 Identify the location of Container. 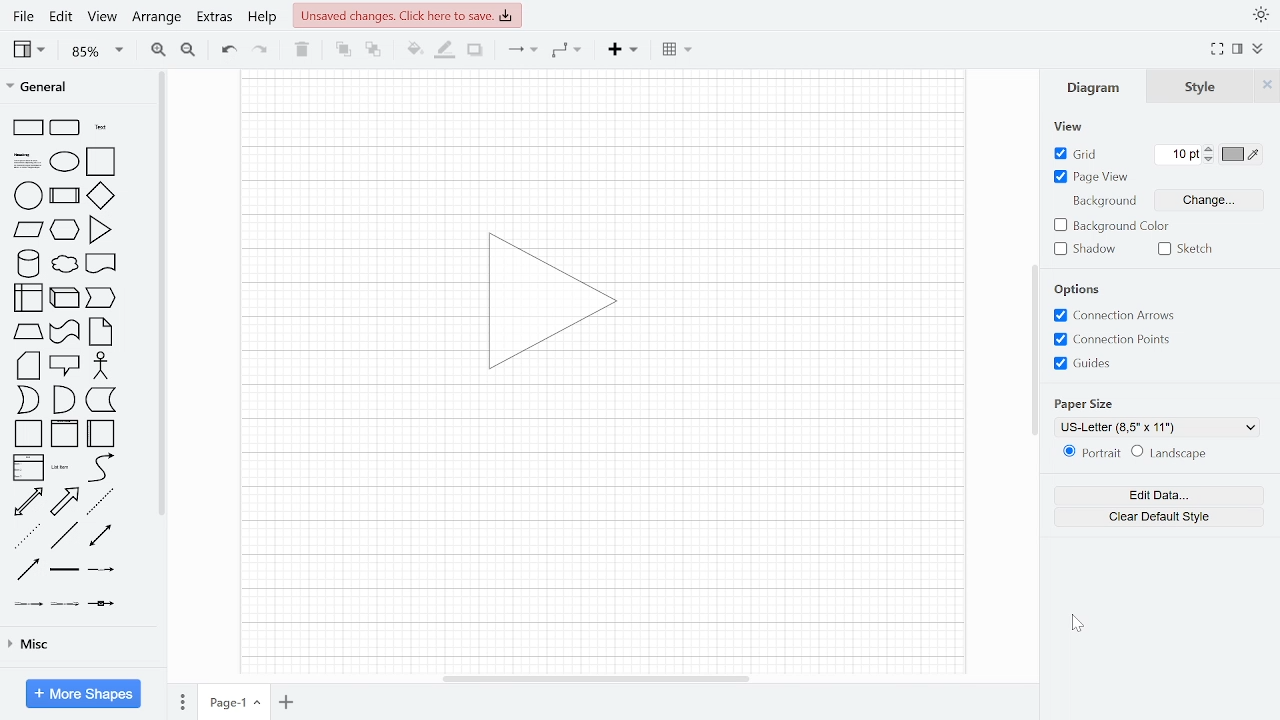
(28, 434).